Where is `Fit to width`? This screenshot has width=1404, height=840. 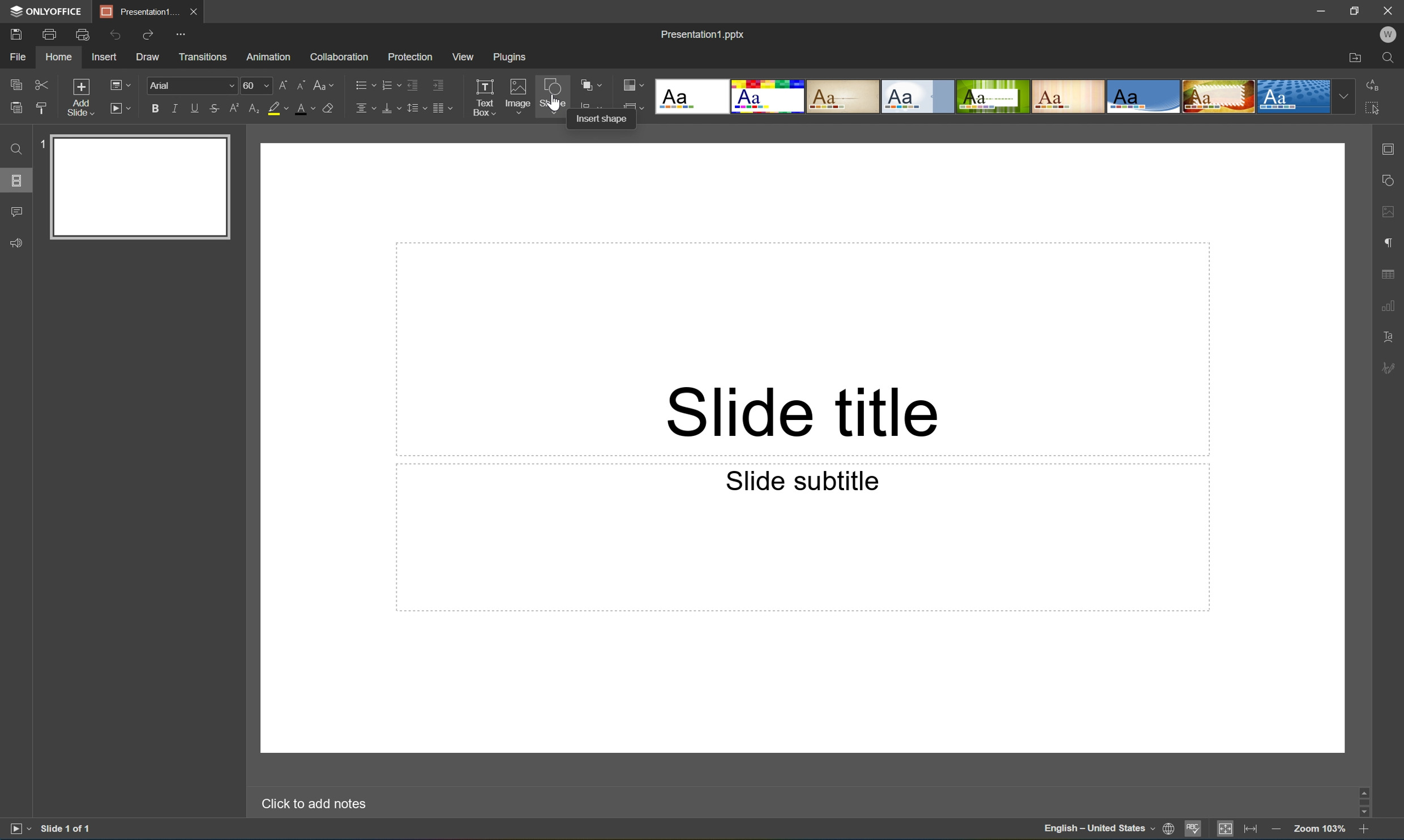 Fit to width is located at coordinates (1251, 830).